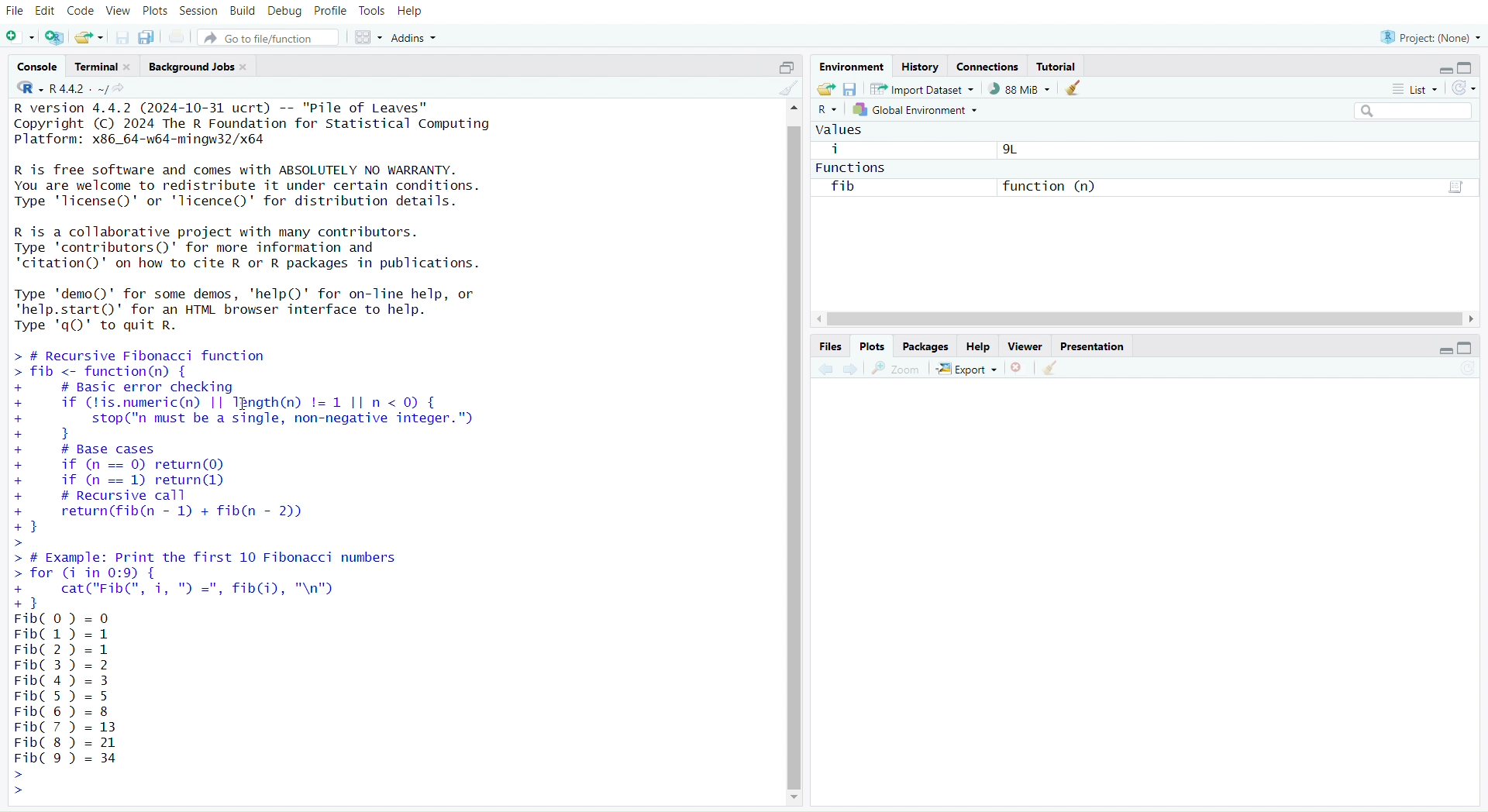 This screenshot has height=812, width=1488. What do you see at coordinates (1019, 368) in the screenshot?
I see `remove current plot` at bounding box center [1019, 368].